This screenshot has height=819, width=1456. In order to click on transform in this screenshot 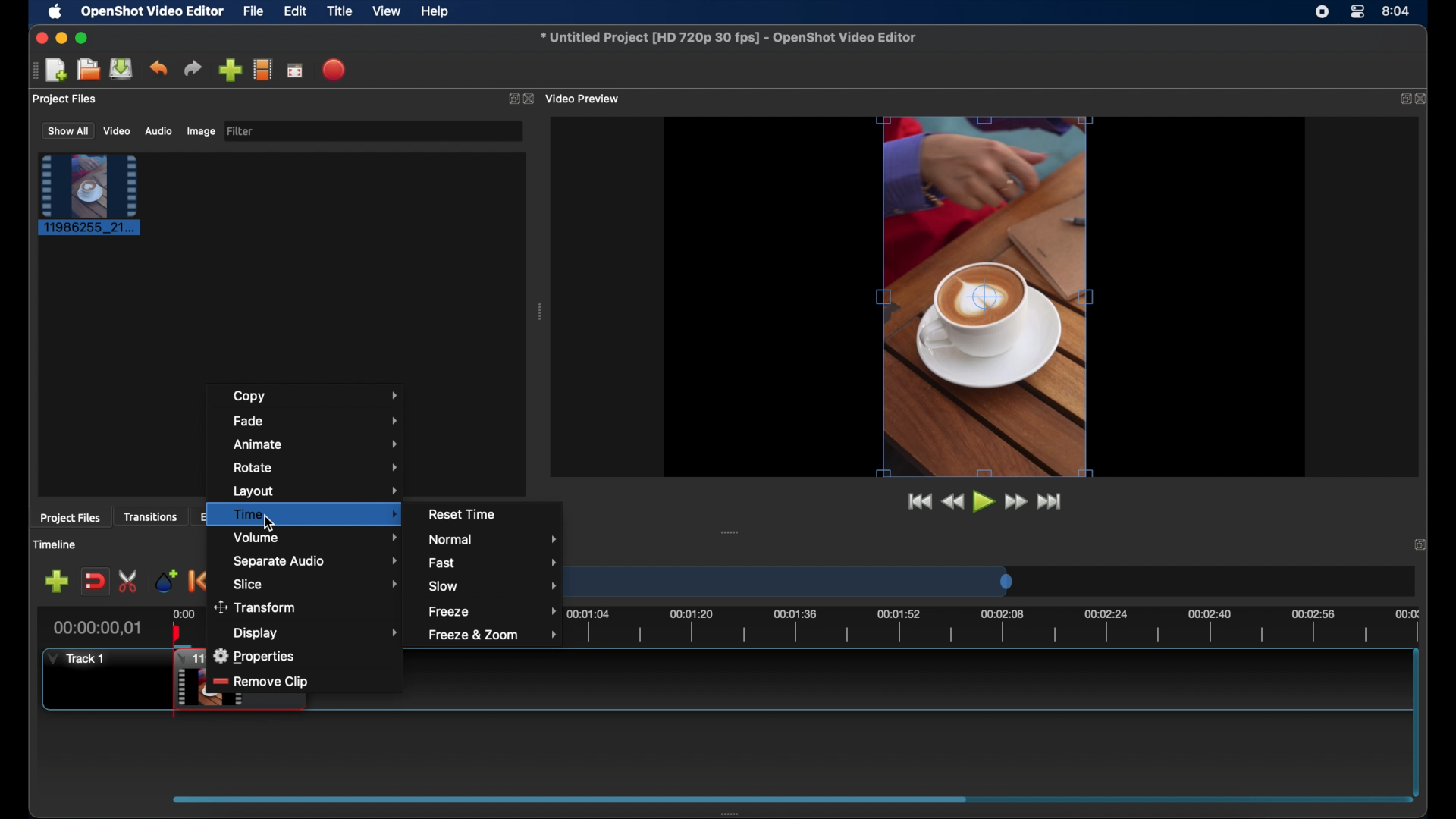, I will do `click(256, 606)`.